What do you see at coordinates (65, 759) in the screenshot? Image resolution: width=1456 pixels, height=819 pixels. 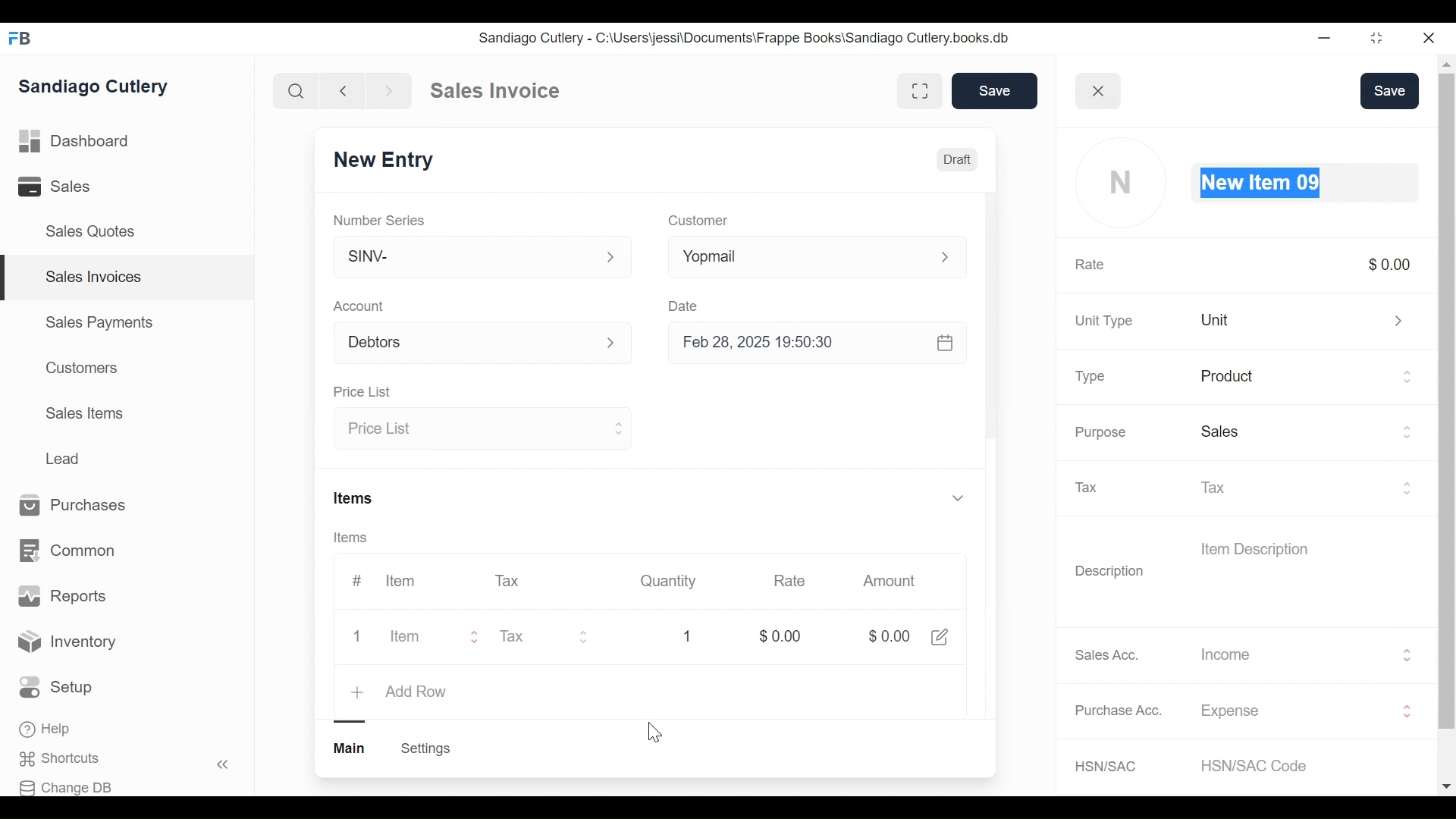 I see `Shortcuts` at bounding box center [65, 759].